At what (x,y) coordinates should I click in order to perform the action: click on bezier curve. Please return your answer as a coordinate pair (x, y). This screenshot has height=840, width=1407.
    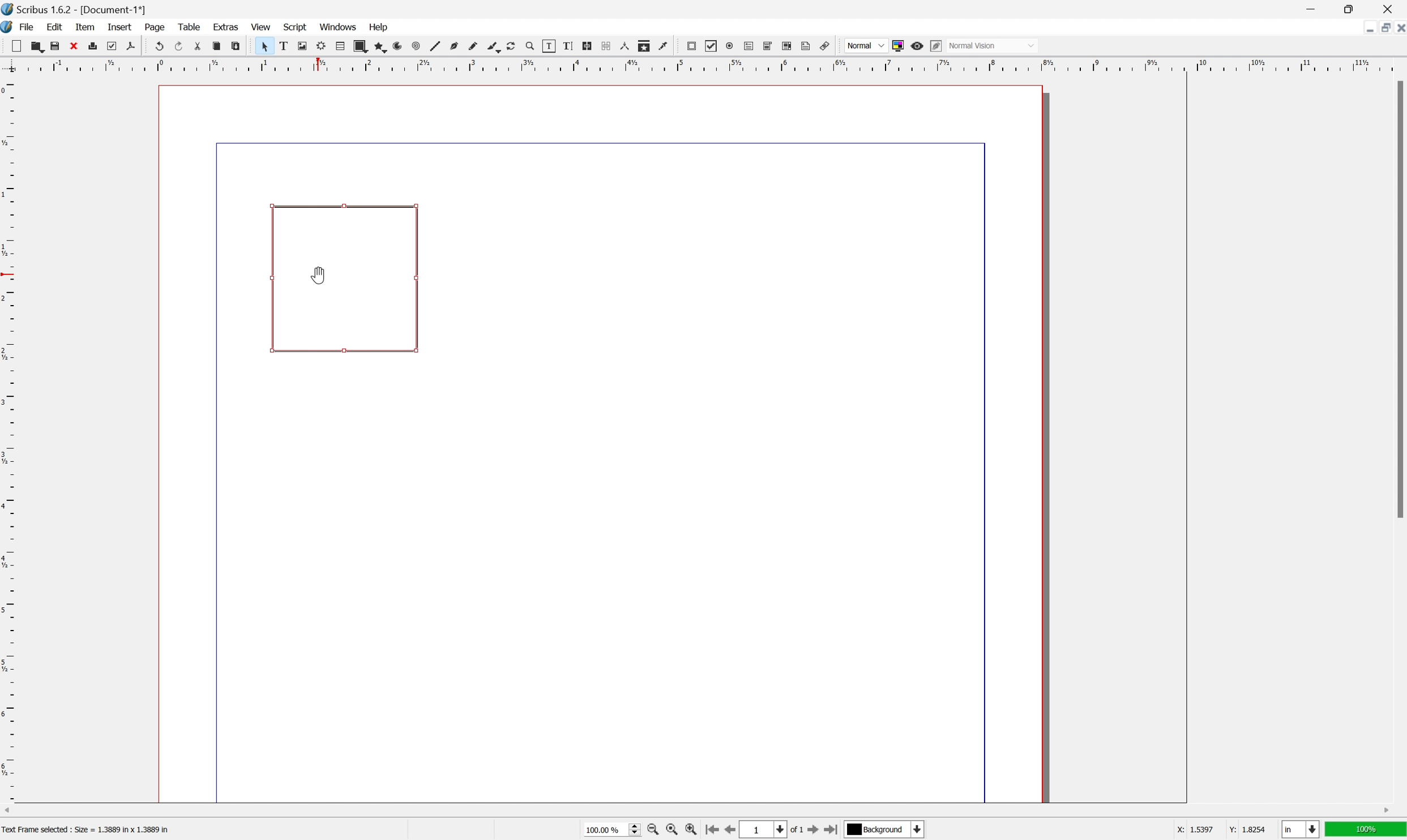
    Looking at the image, I should click on (494, 48).